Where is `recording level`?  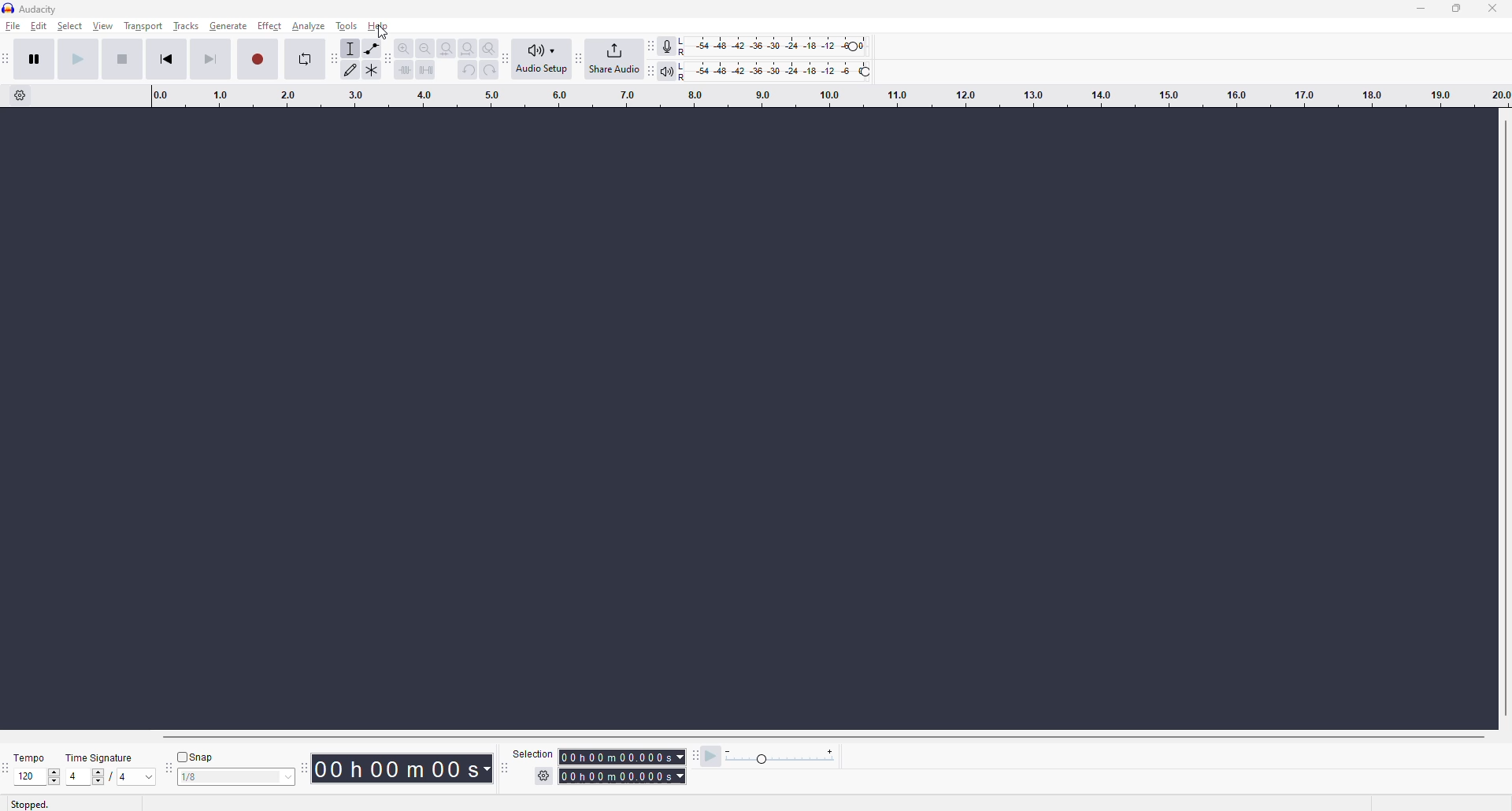
recording level is located at coordinates (781, 46).